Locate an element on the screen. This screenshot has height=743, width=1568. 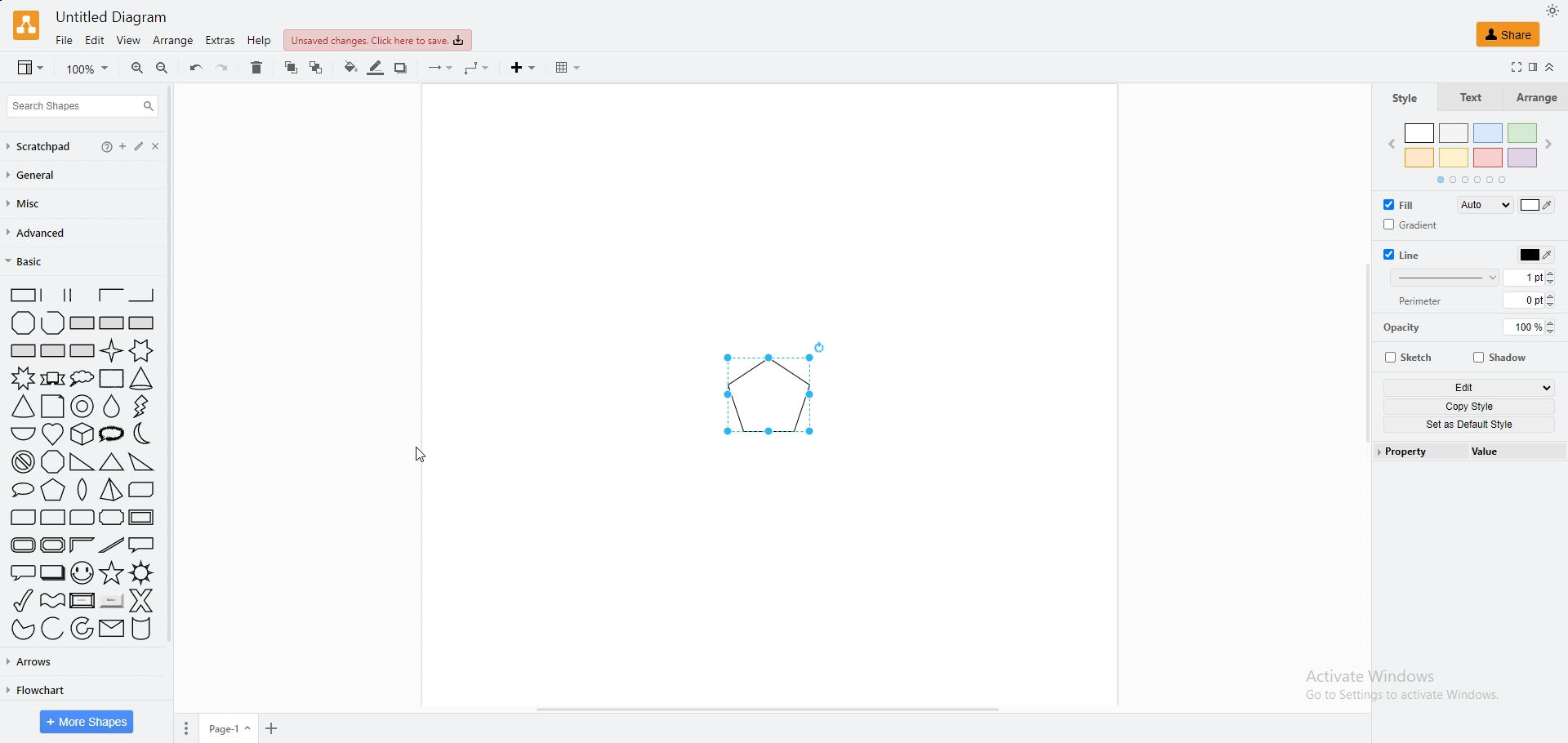
rectangle with vertical fill is located at coordinates (142, 323).